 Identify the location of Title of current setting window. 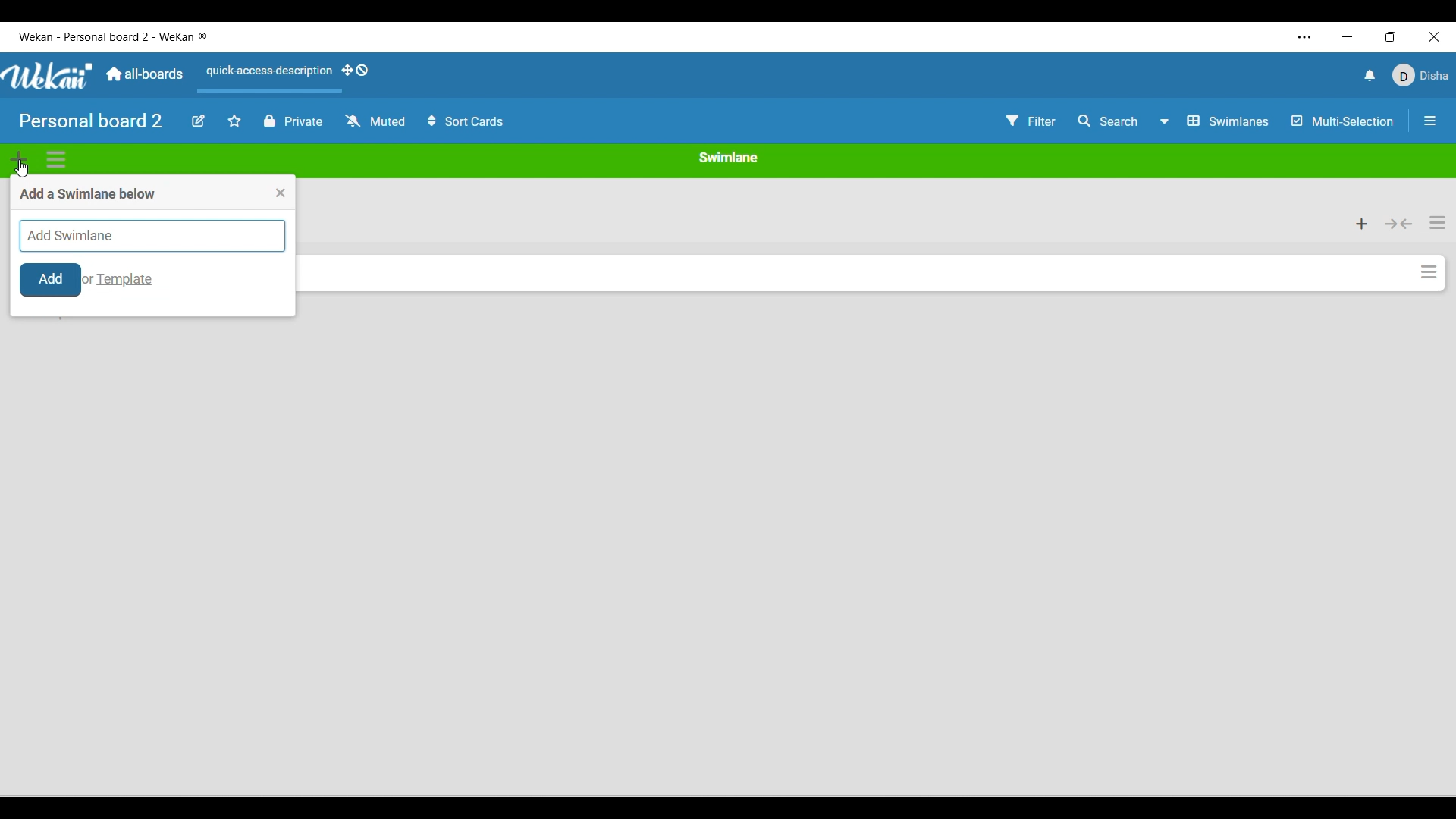
(87, 193).